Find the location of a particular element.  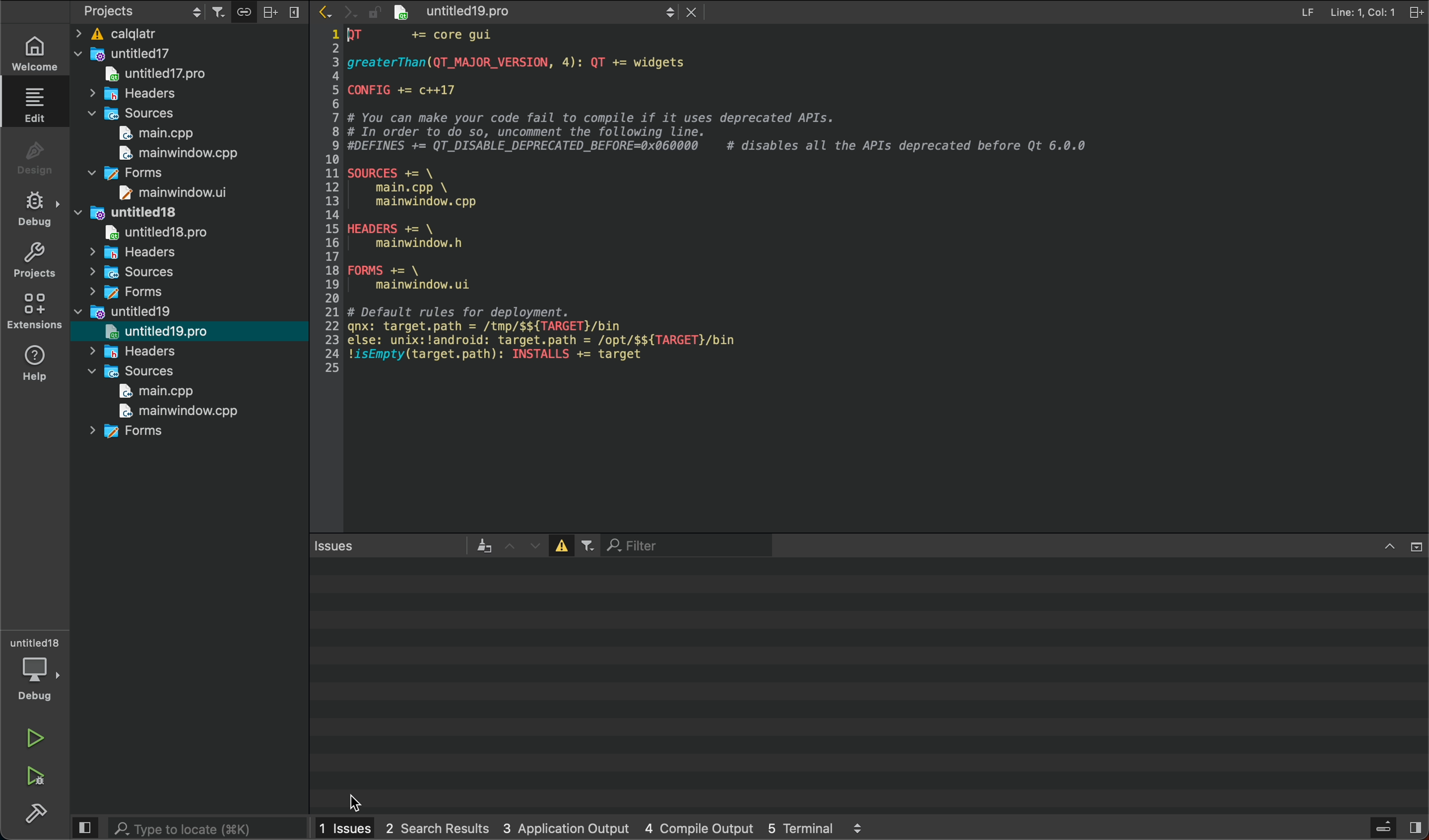

run debug is located at coordinates (32, 773).